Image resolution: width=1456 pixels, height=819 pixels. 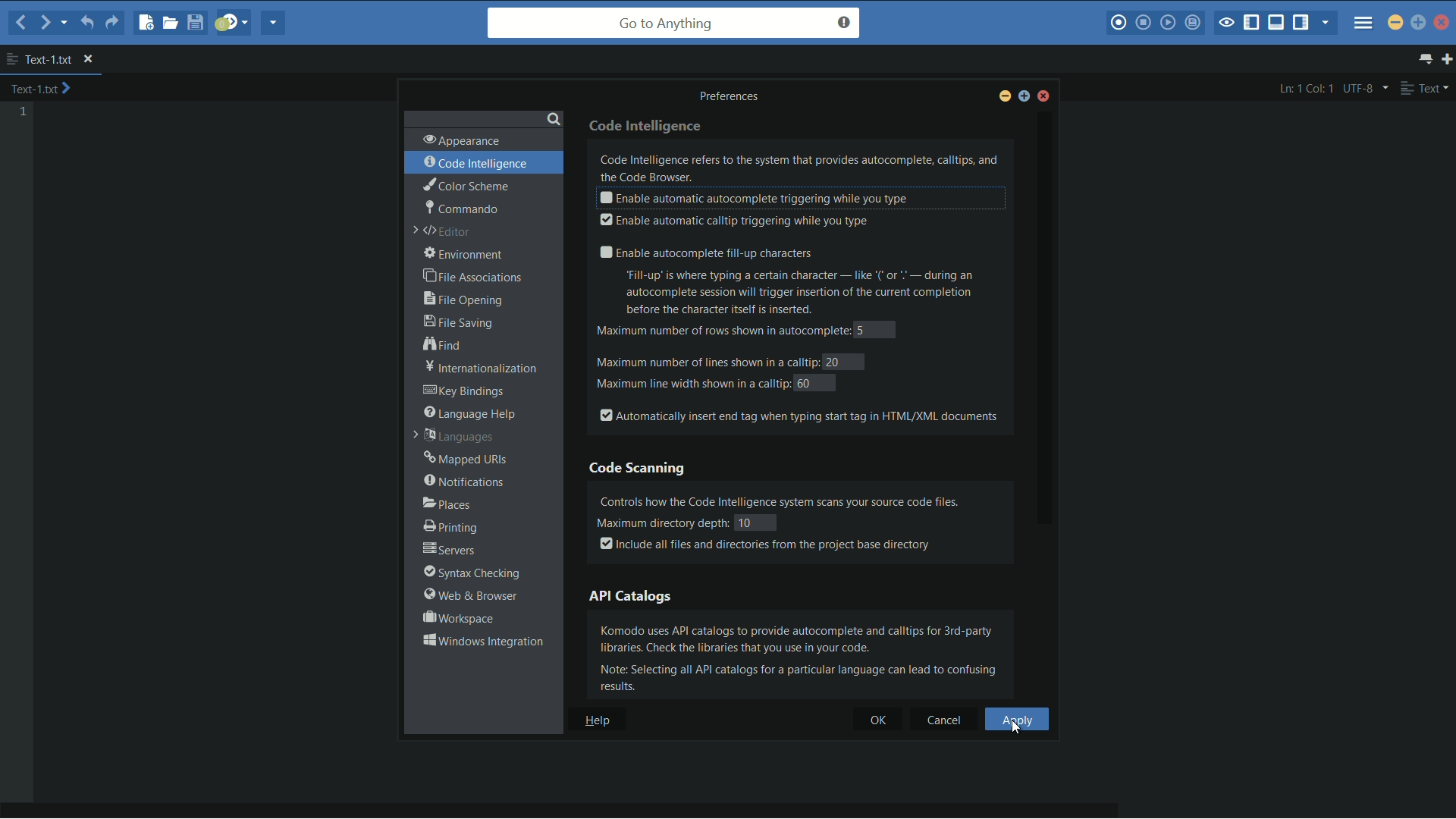 I want to click on minimize, so click(x=1395, y=21).